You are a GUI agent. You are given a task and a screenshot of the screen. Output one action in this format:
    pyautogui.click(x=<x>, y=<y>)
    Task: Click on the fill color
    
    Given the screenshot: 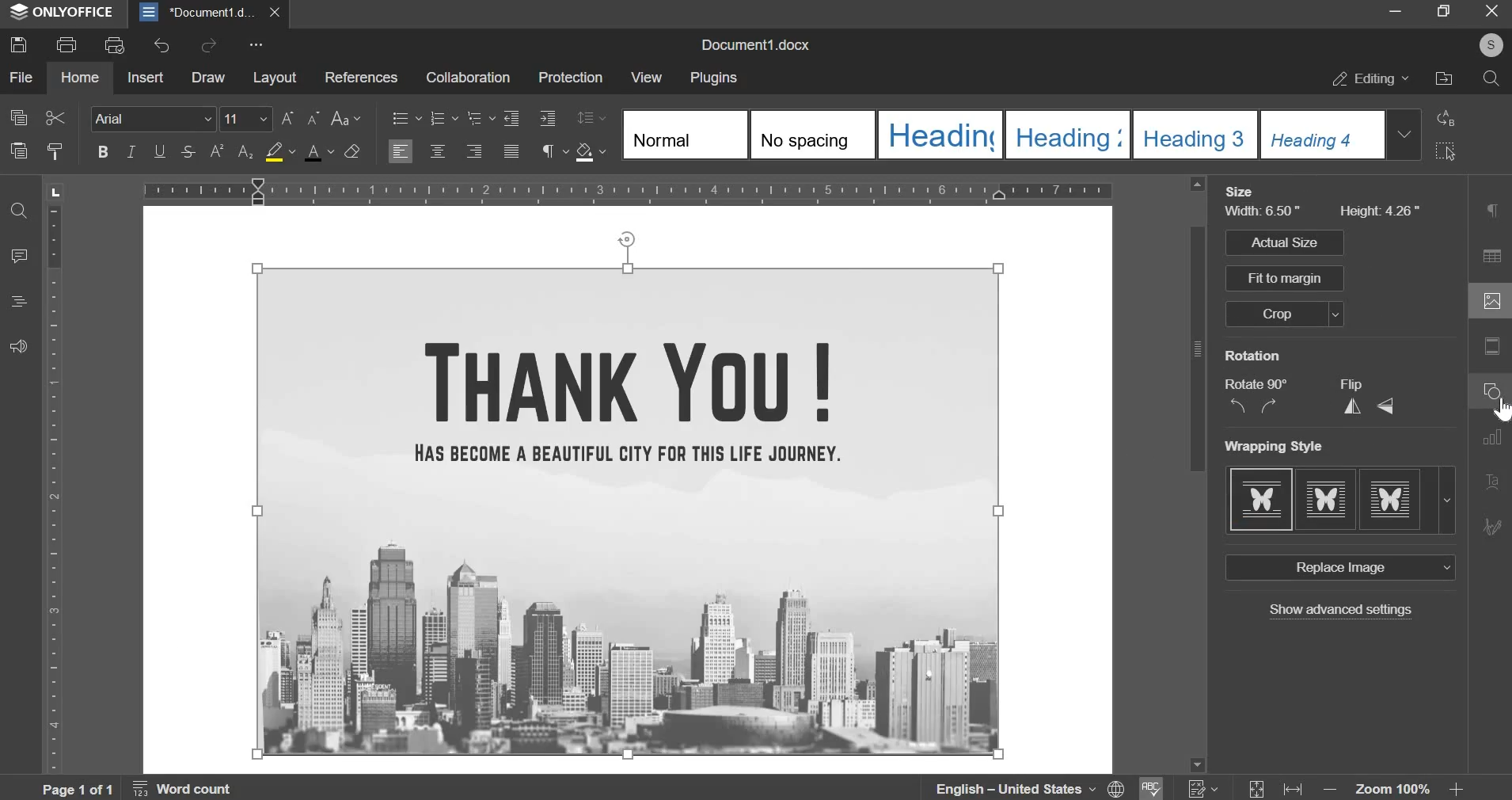 What is the action you would take?
    pyautogui.click(x=281, y=150)
    